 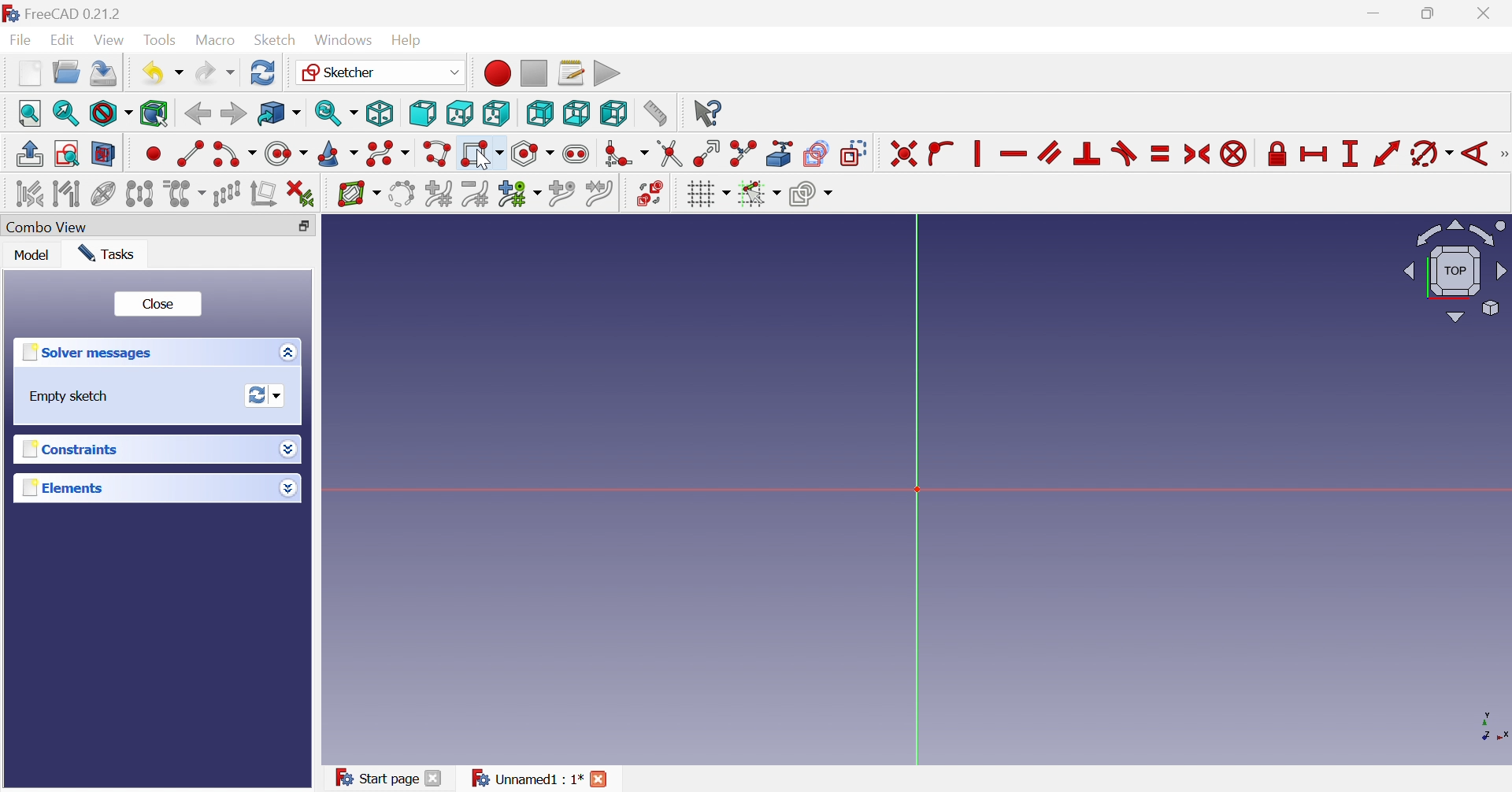 I want to click on Join curves, so click(x=599, y=194).